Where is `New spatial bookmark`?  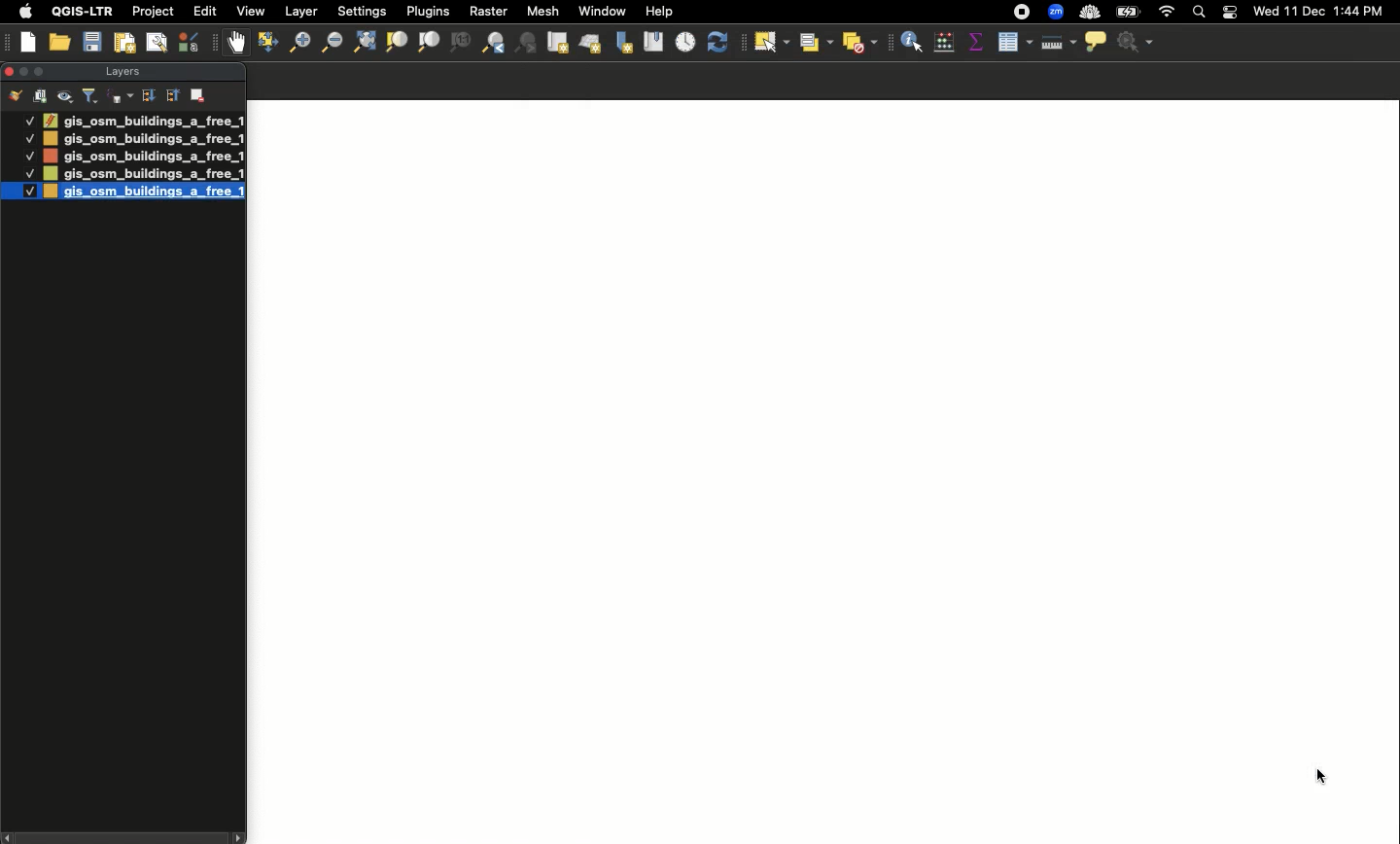
New spatial bookmark is located at coordinates (622, 44).